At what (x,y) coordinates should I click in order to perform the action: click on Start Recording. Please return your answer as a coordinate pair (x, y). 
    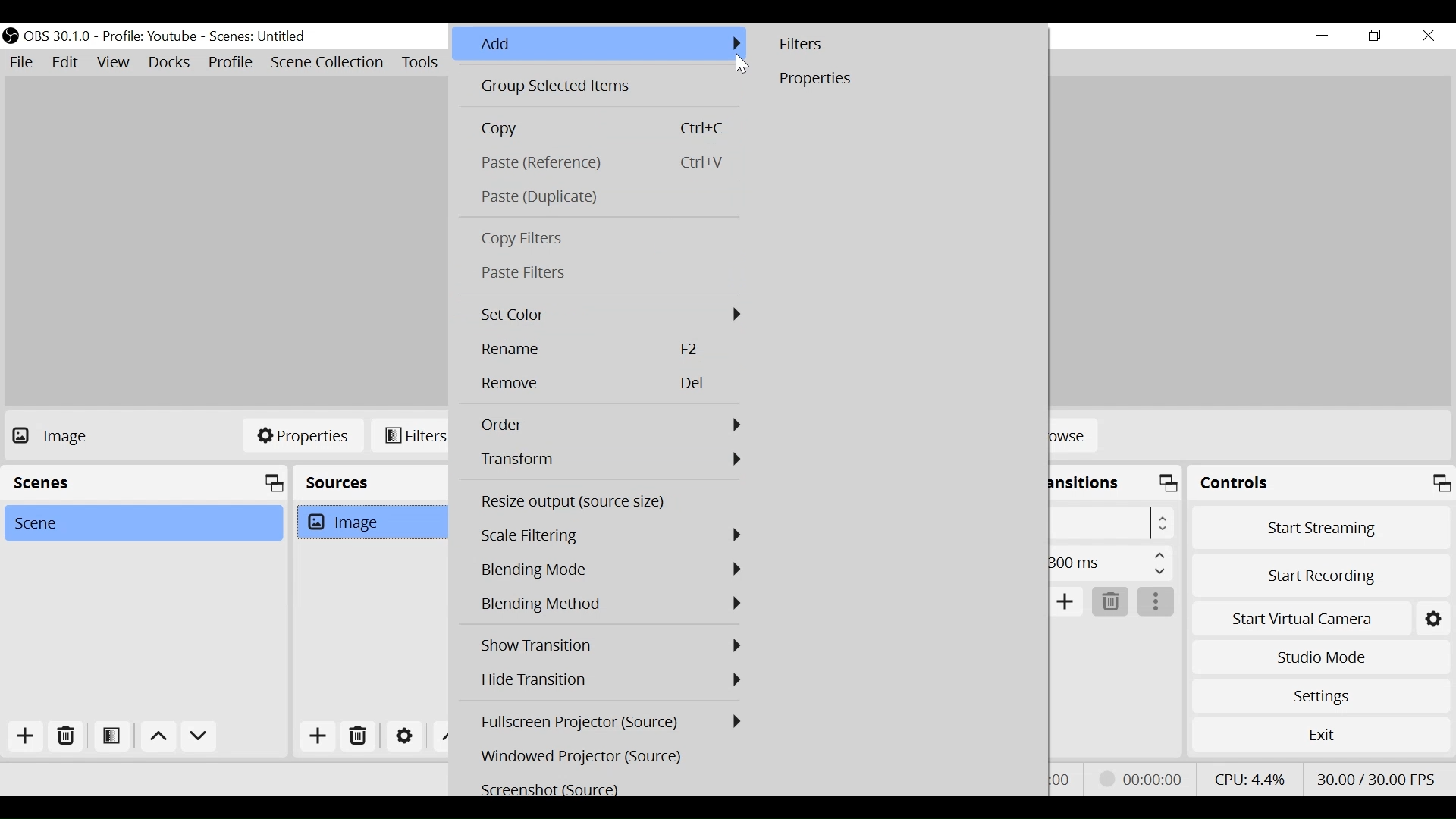
    Looking at the image, I should click on (1319, 576).